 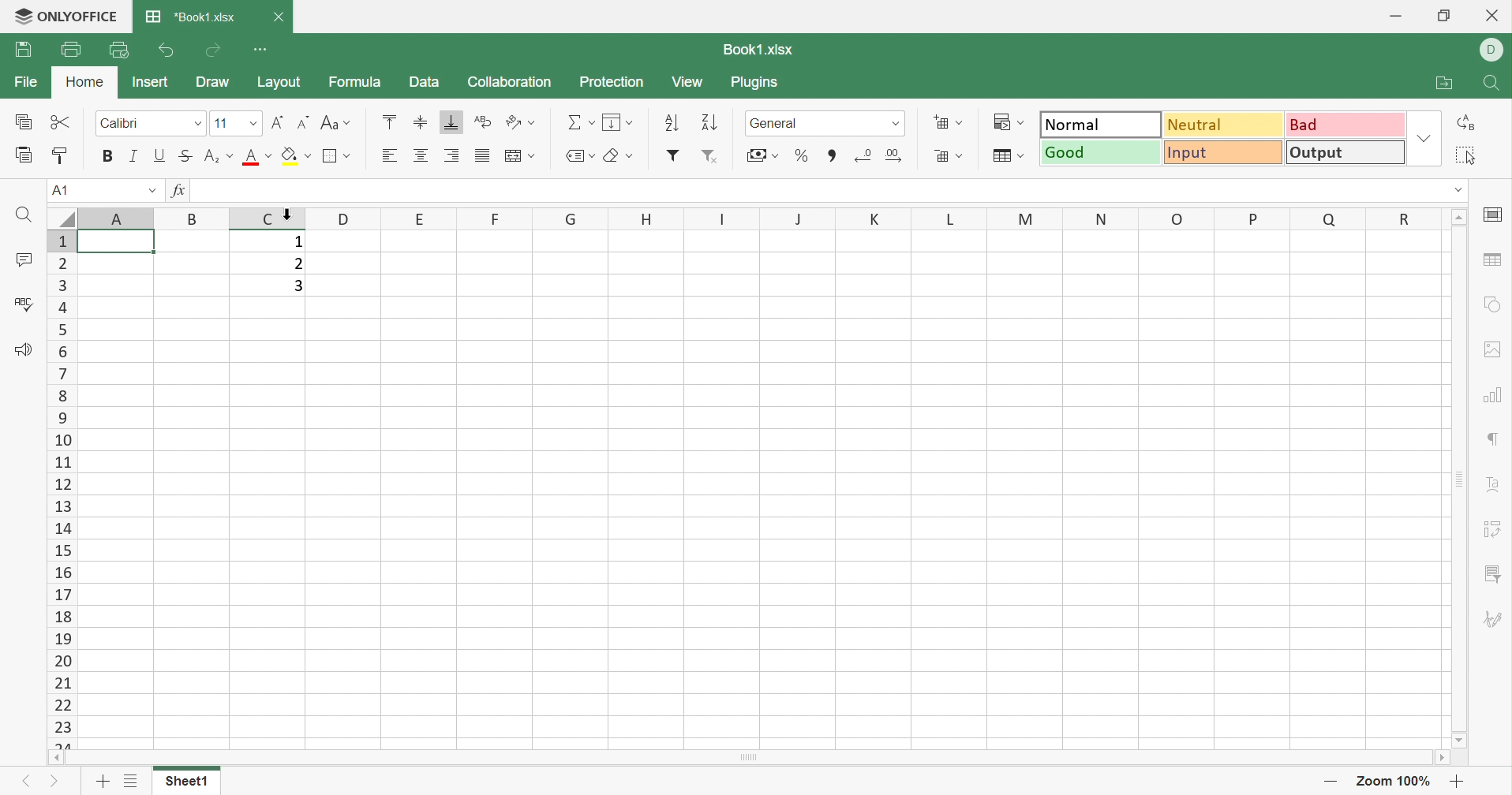 I want to click on DELL, so click(x=1491, y=50).